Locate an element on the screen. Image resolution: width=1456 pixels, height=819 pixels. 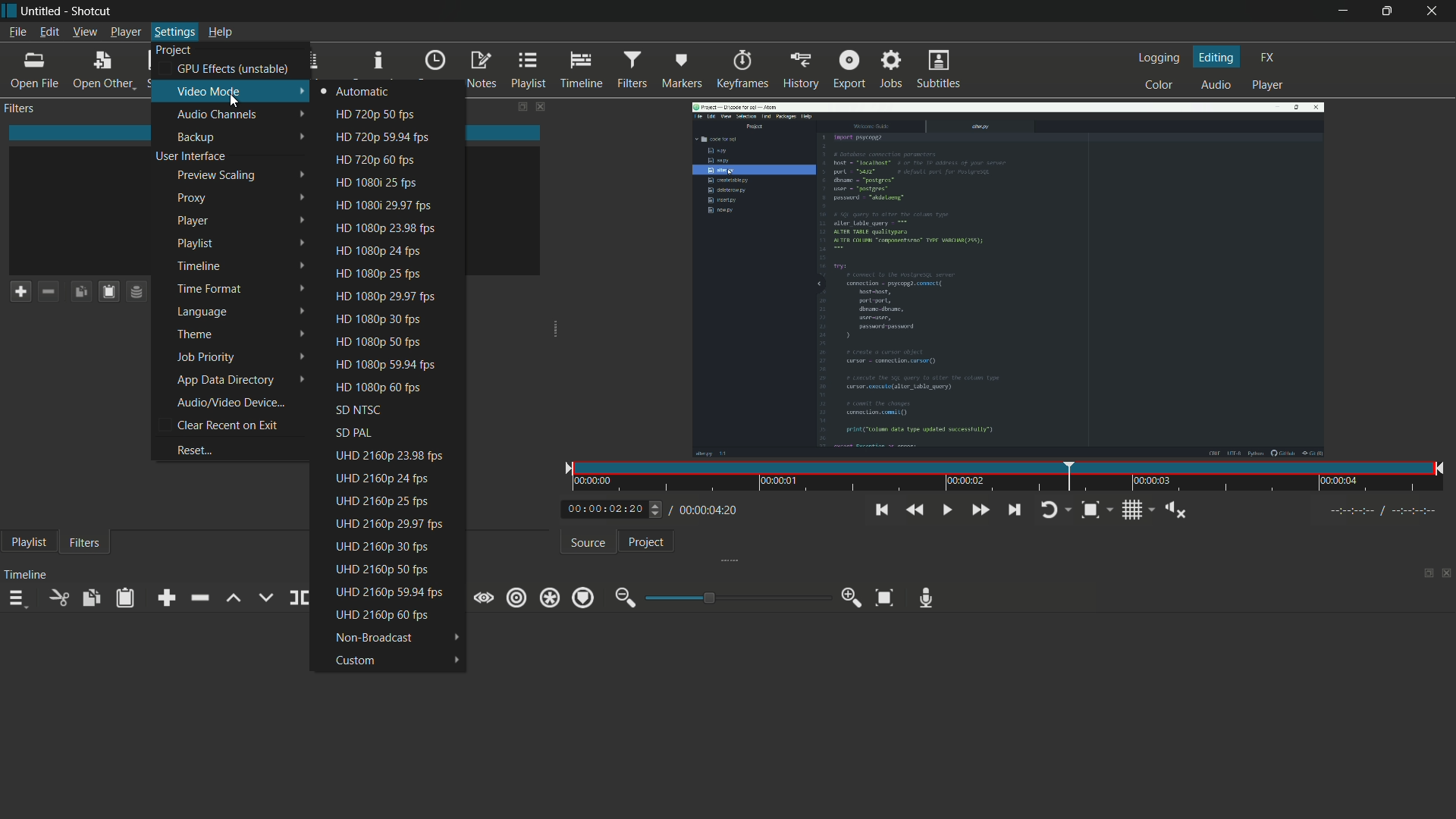
job priority is located at coordinates (243, 357).